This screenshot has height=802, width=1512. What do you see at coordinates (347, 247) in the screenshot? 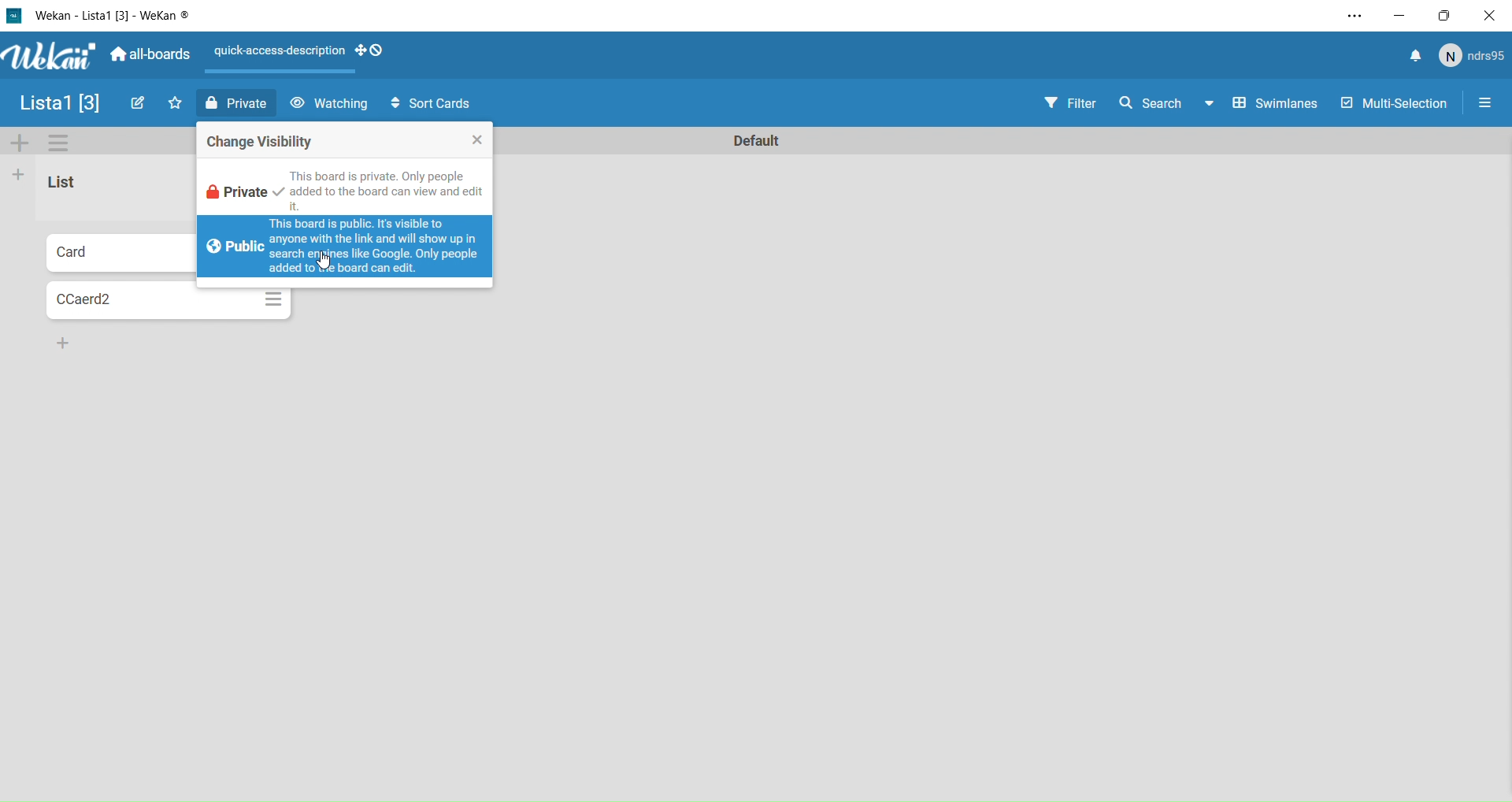
I see `Public` at bounding box center [347, 247].